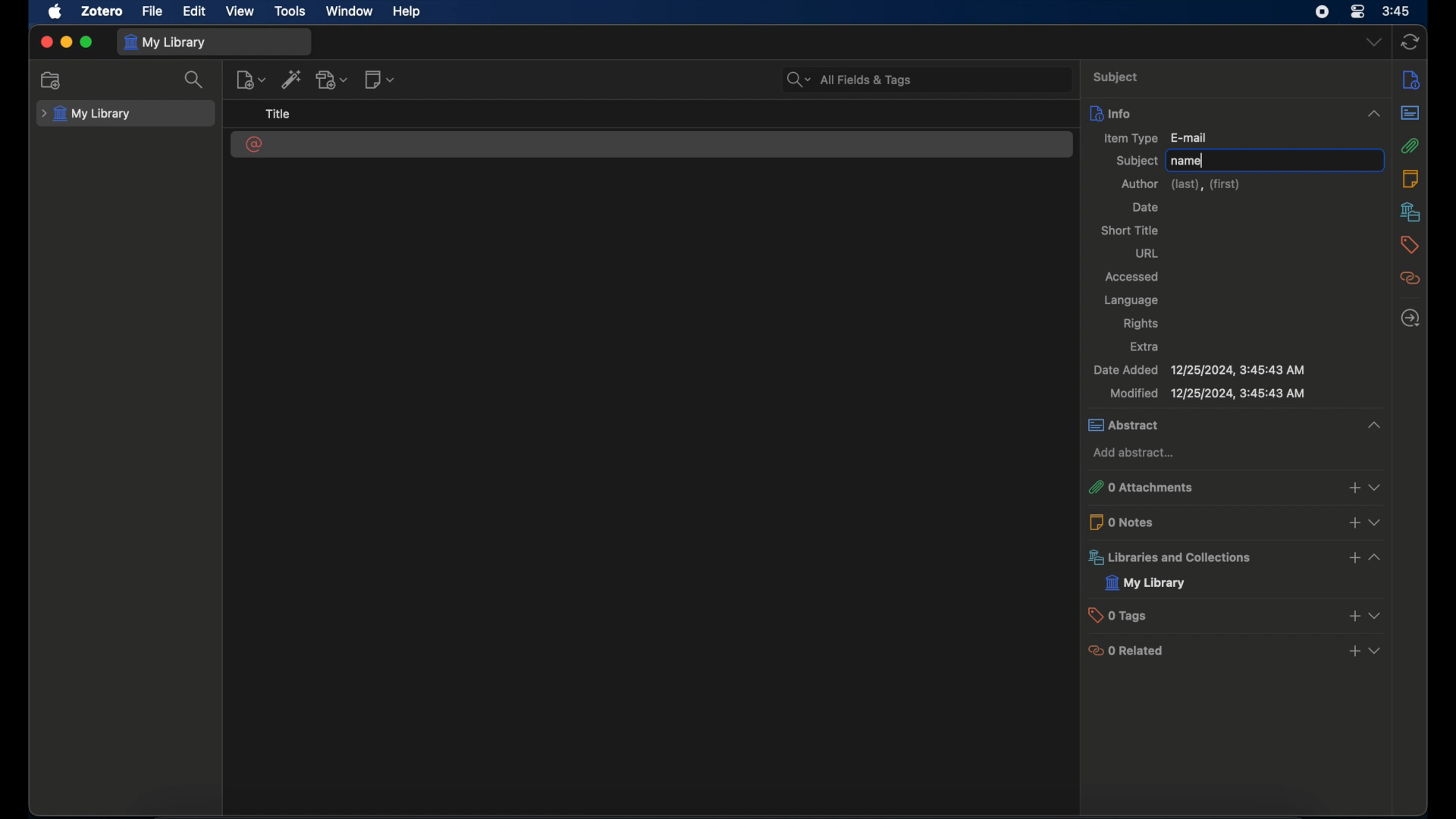  What do you see at coordinates (52, 80) in the screenshot?
I see `new collection` at bounding box center [52, 80].